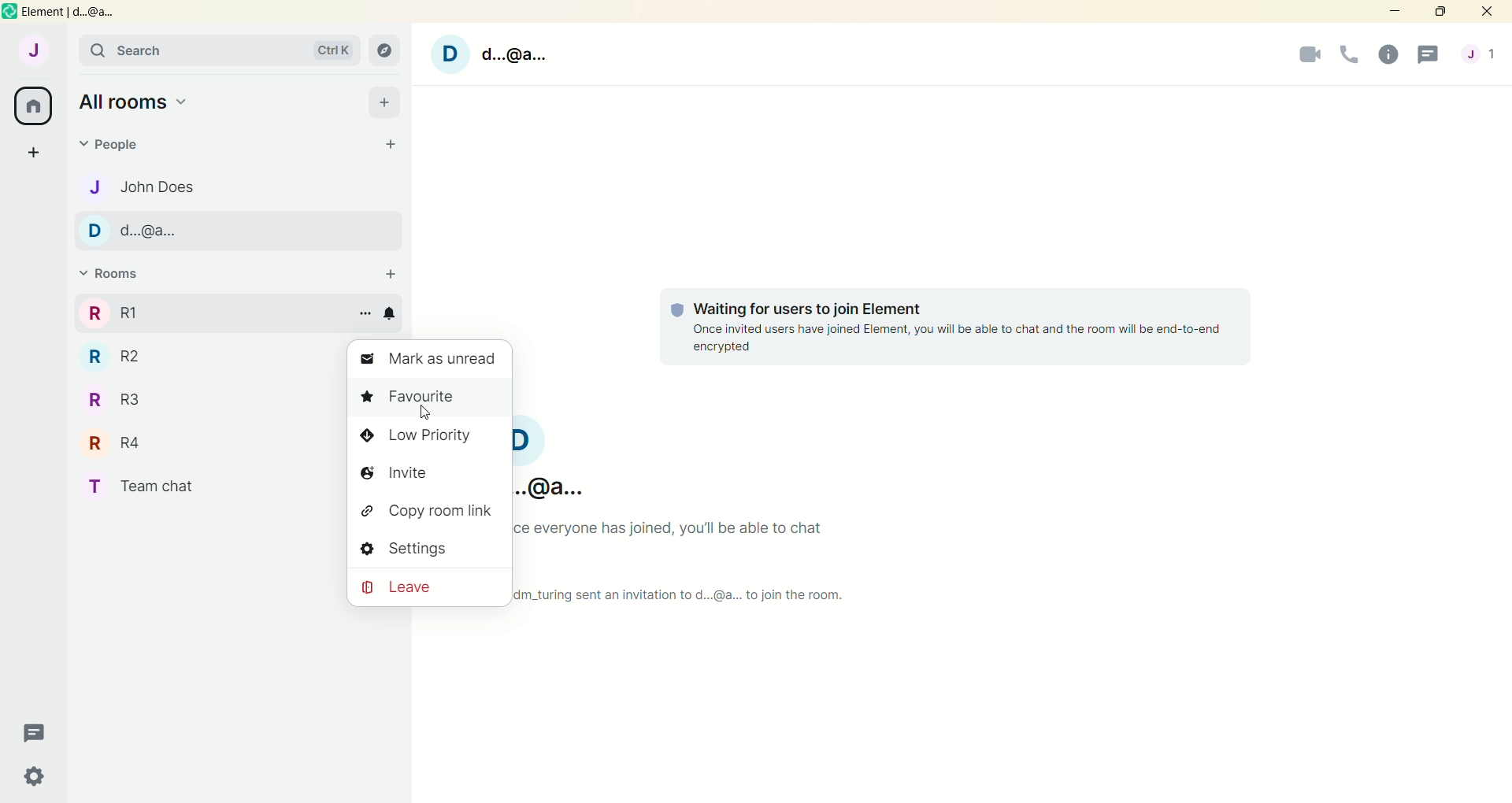  Describe the element at coordinates (1307, 56) in the screenshot. I see `Video Call` at that location.